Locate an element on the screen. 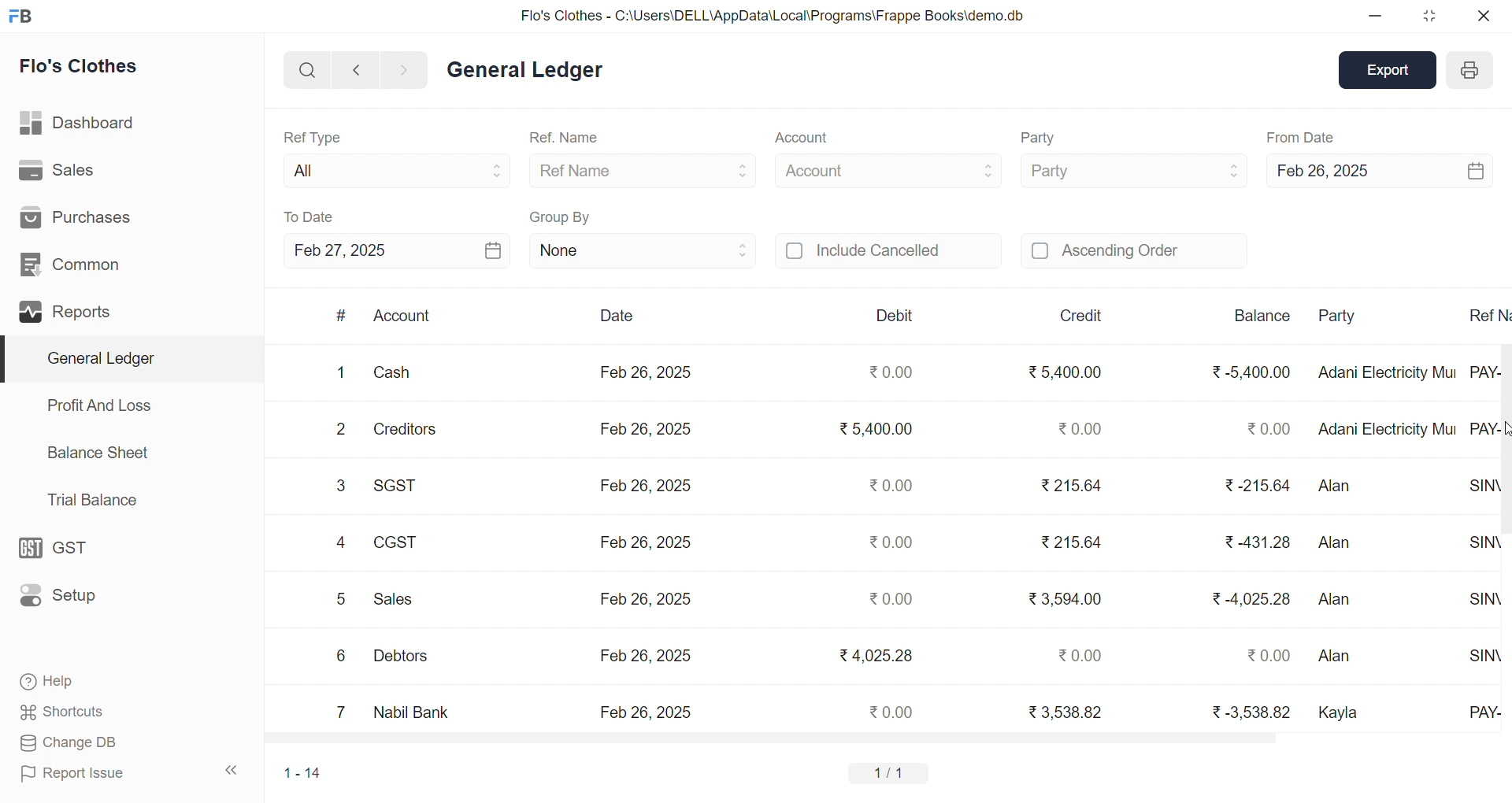  Flo's Clothes is located at coordinates (80, 66).